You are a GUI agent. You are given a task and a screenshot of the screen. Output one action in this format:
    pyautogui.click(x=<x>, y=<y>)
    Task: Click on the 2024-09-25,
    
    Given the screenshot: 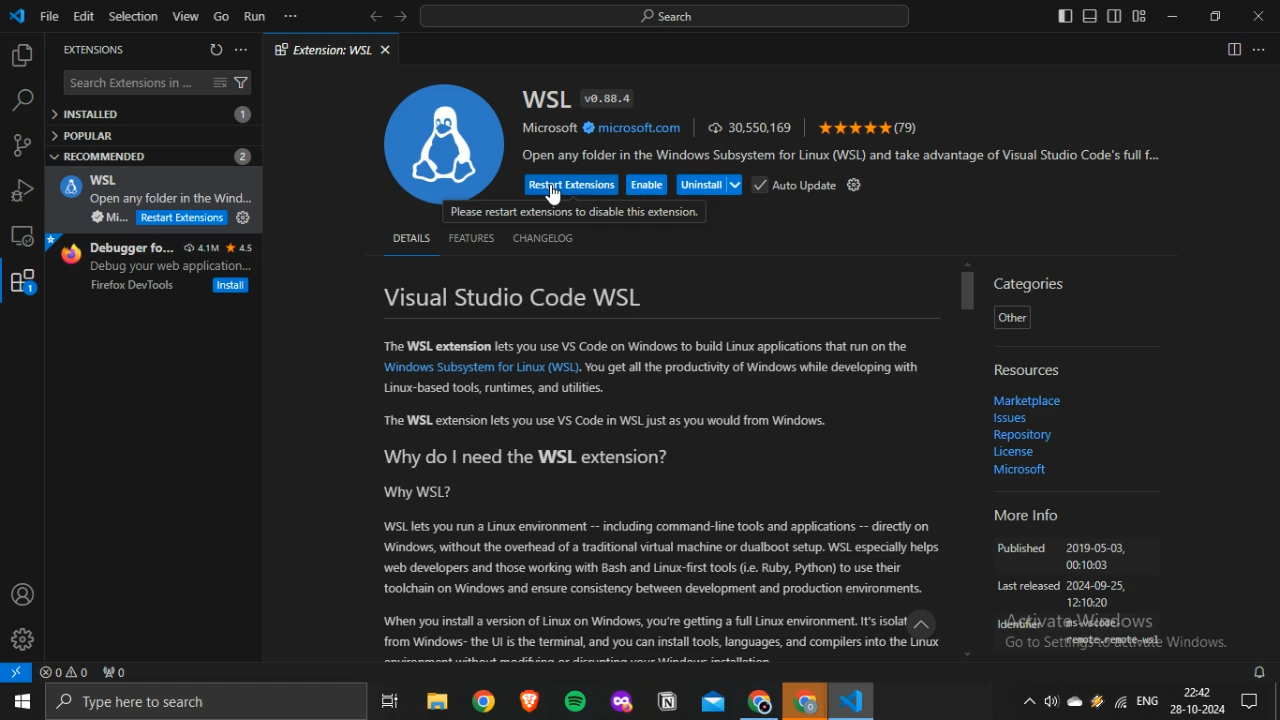 What is the action you would take?
    pyautogui.click(x=1098, y=586)
    